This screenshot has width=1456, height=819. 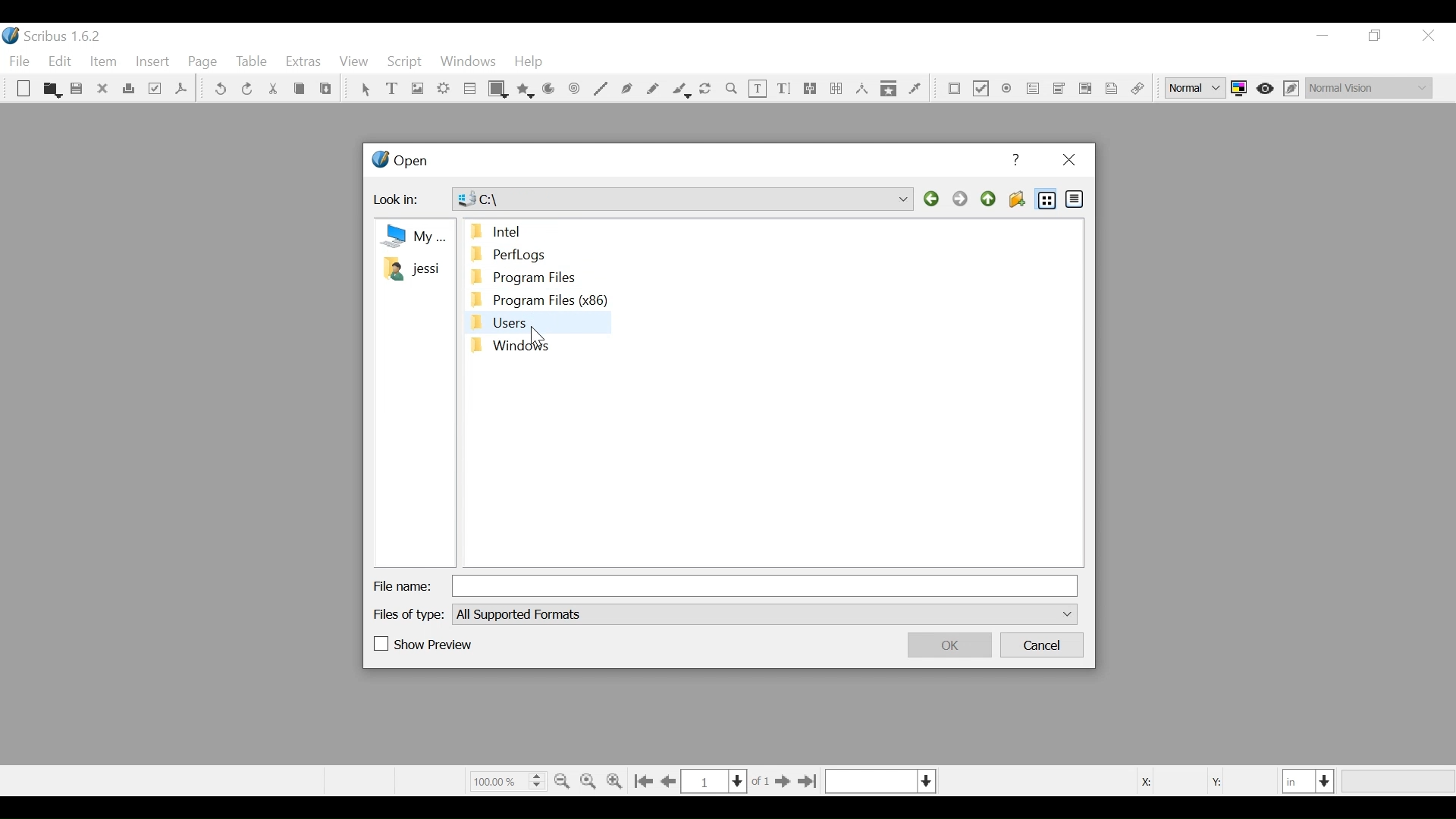 What do you see at coordinates (617, 780) in the screenshot?
I see `Zoom in` at bounding box center [617, 780].